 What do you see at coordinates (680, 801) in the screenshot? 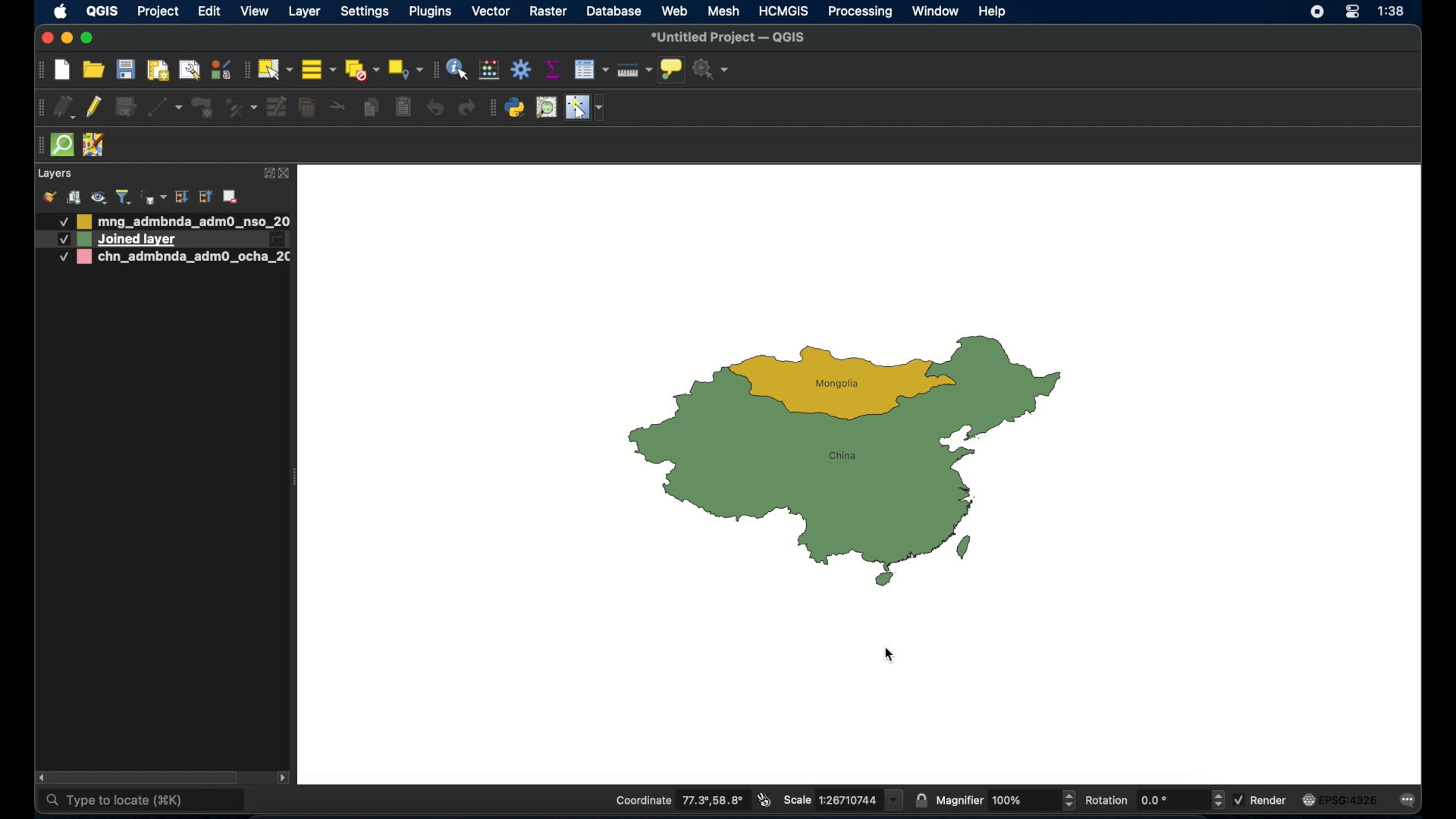
I see `coordinate` at bounding box center [680, 801].